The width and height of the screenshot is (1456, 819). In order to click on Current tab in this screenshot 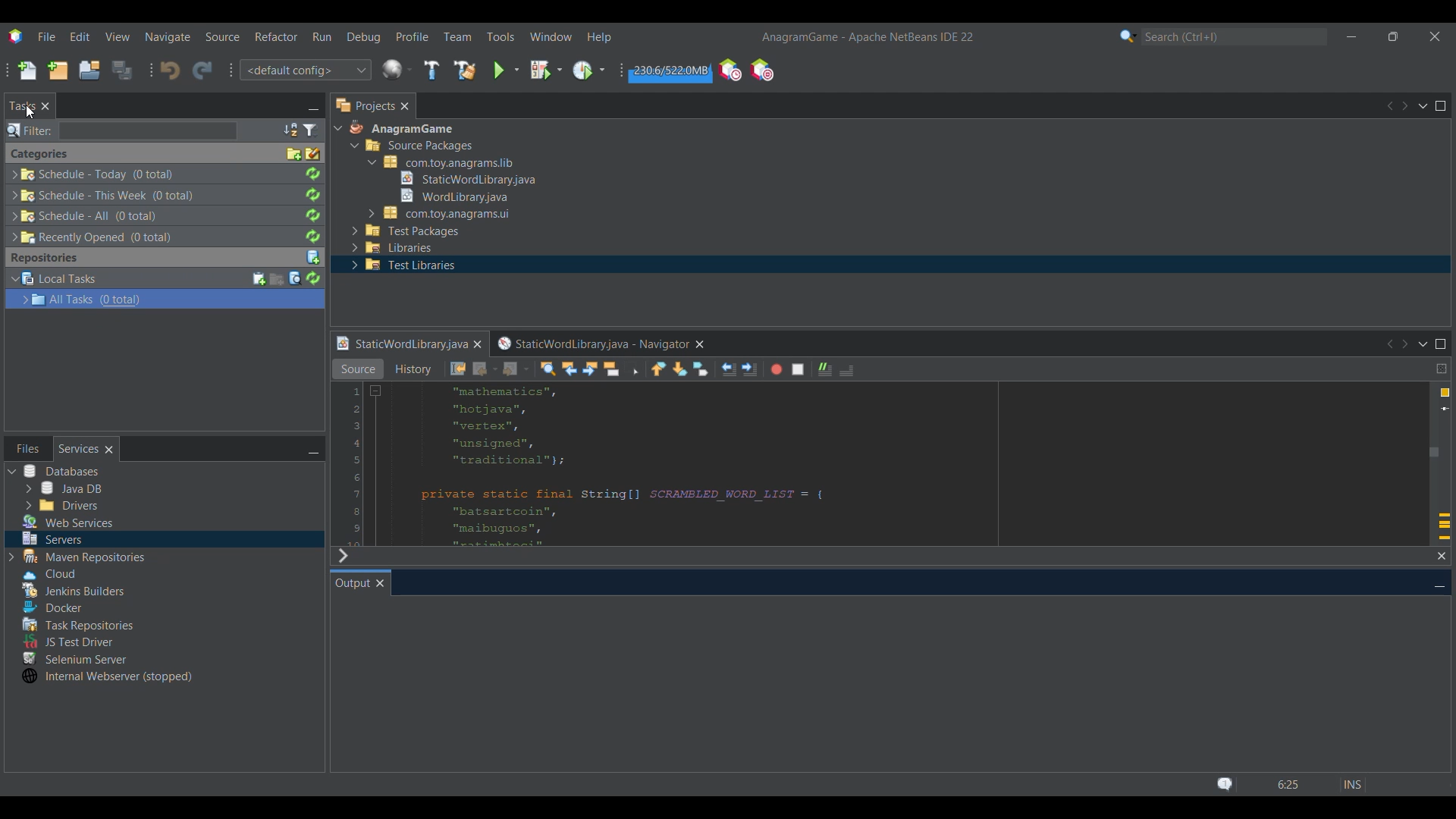, I will do `click(79, 449)`.